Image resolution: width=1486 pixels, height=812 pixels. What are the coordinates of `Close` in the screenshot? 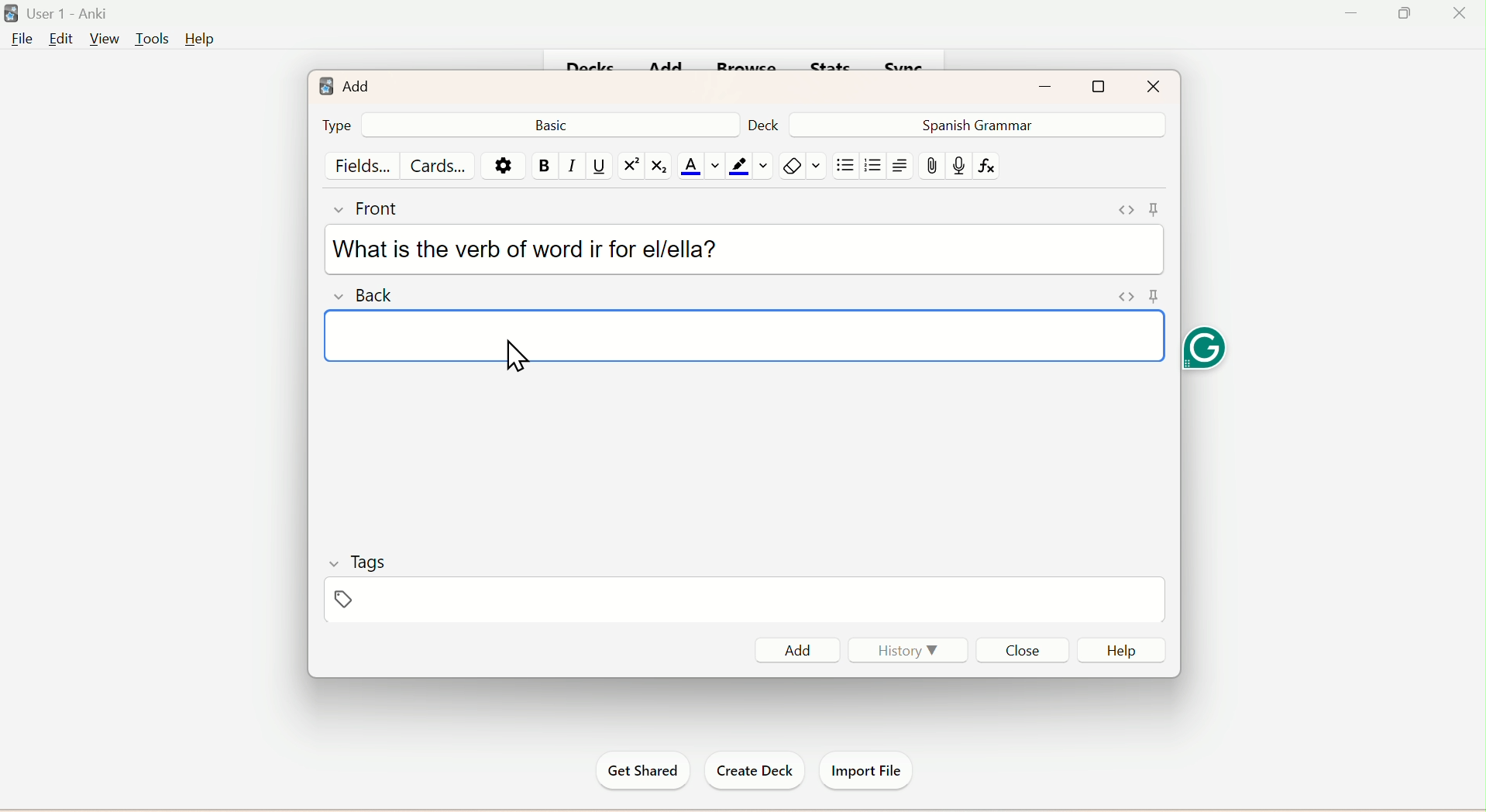 It's located at (1152, 85).